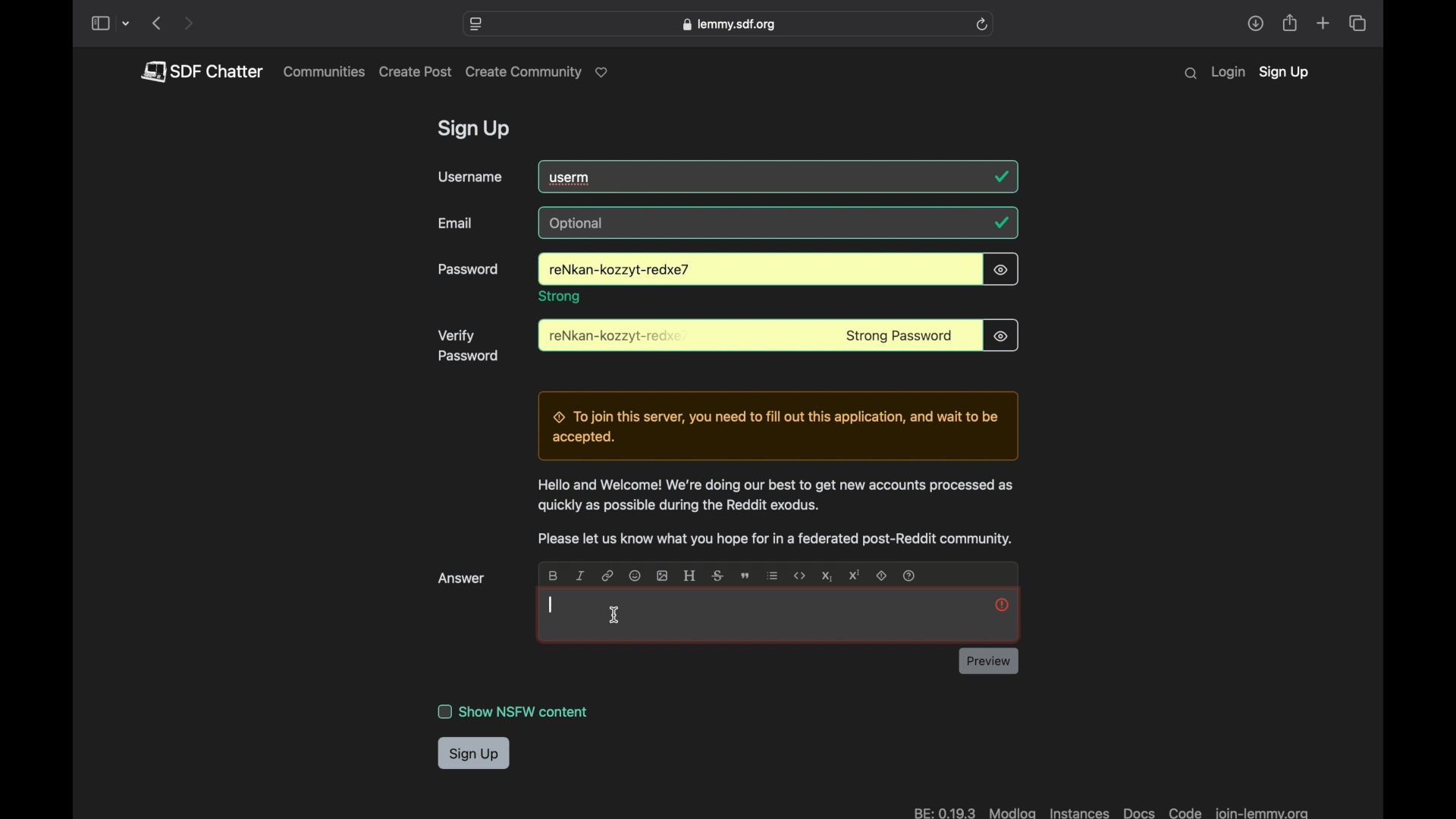 This screenshot has height=819, width=1456. What do you see at coordinates (745, 577) in the screenshot?
I see `quote` at bounding box center [745, 577].